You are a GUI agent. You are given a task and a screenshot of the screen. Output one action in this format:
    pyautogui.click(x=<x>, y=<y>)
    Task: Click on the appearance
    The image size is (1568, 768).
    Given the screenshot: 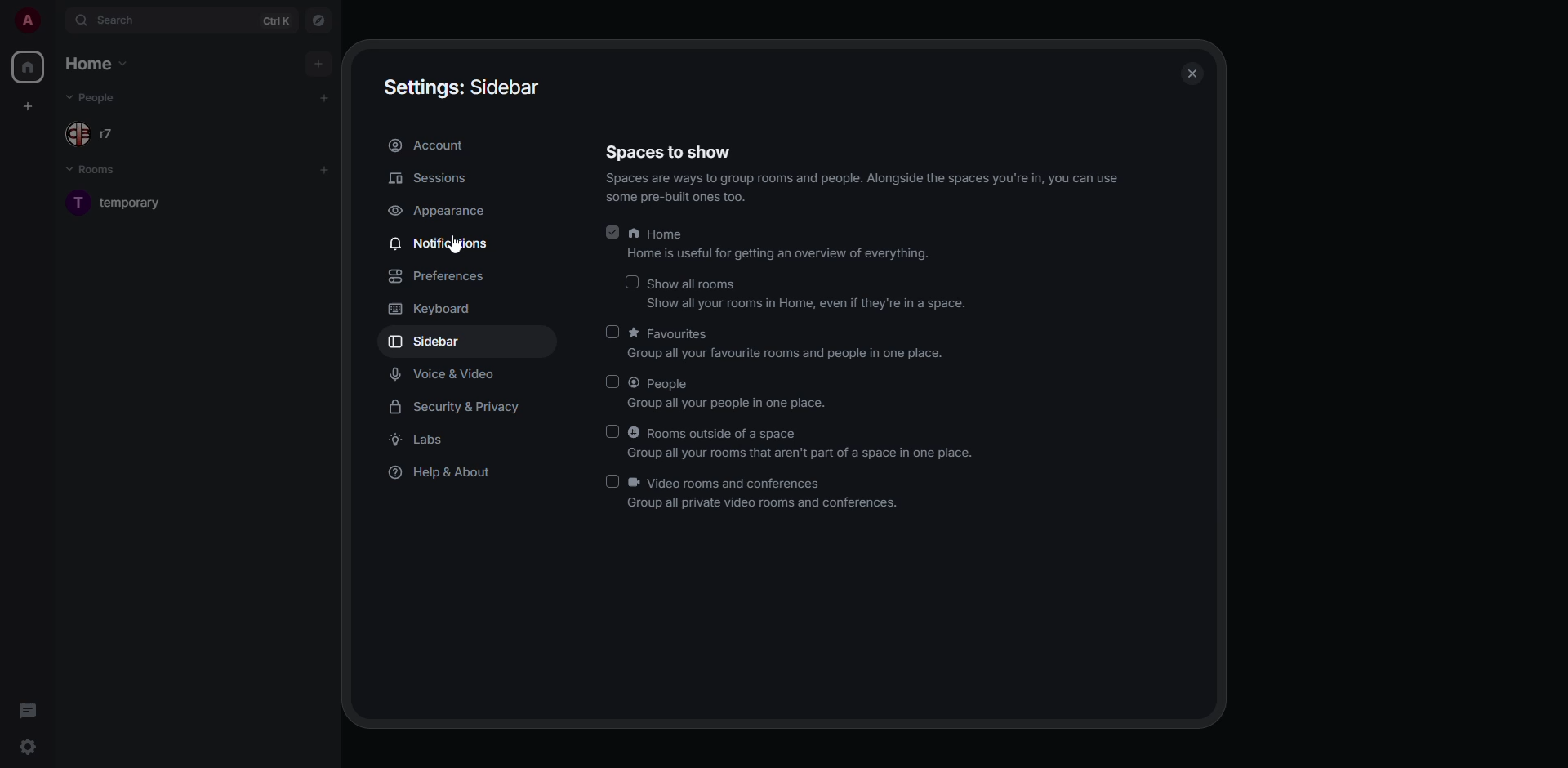 What is the action you would take?
    pyautogui.click(x=442, y=211)
    